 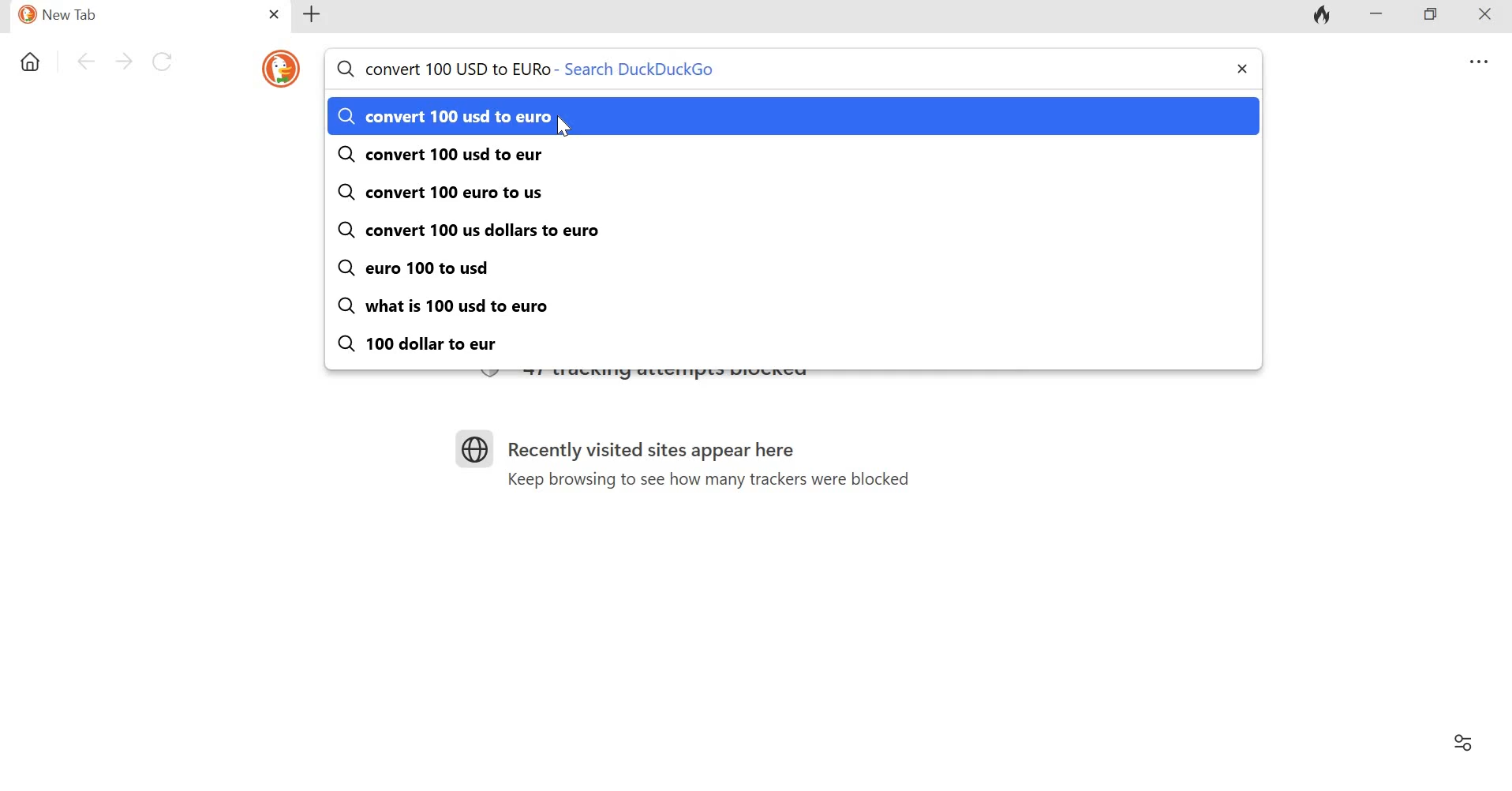 What do you see at coordinates (437, 158) in the screenshot?
I see `convert 100 usd to eur` at bounding box center [437, 158].